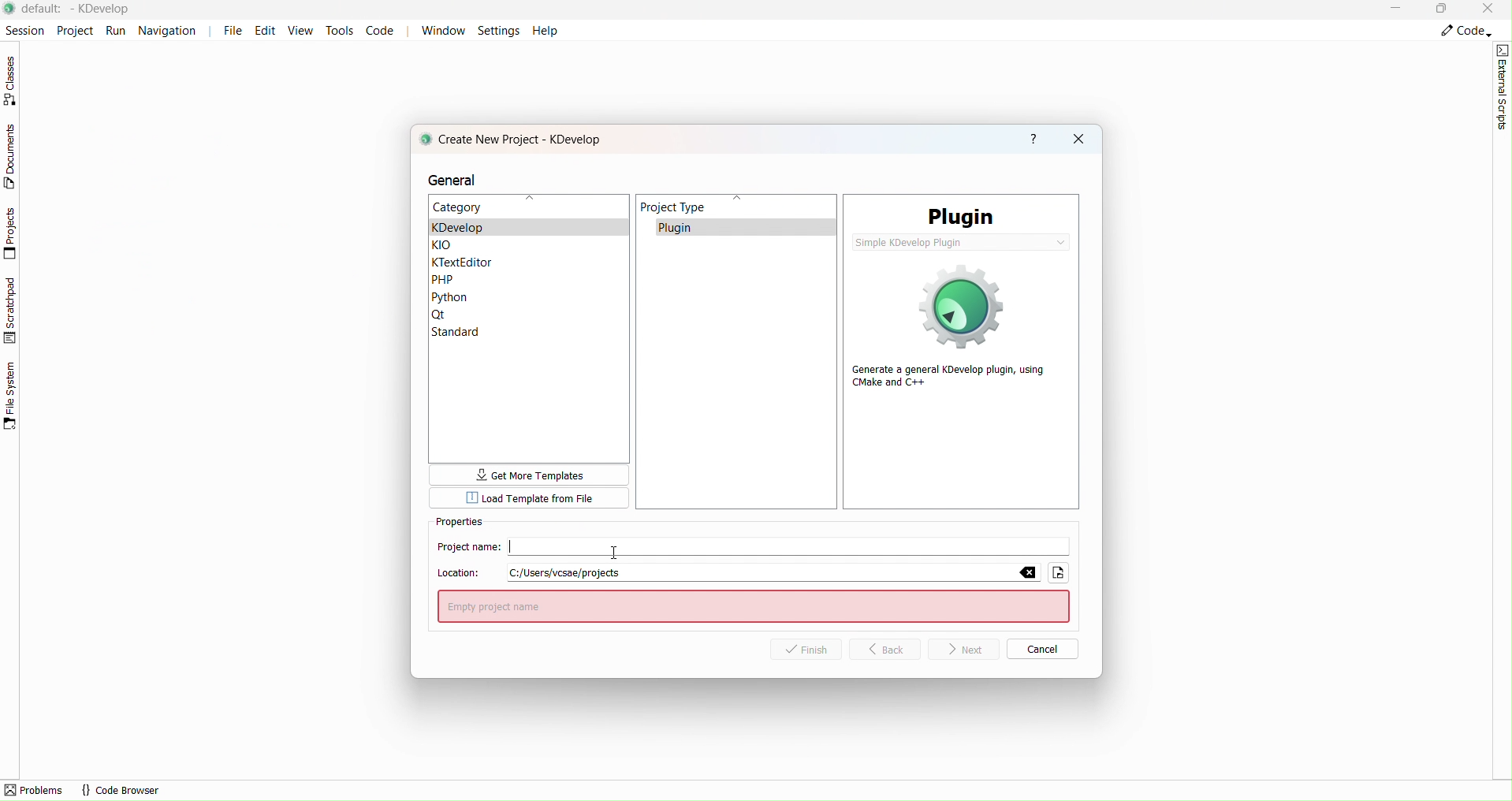 This screenshot has width=1512, height=801. What do you see at coordinates (891, 648) in the screenshot?
I see `Back` at bounding box center [891, 648].